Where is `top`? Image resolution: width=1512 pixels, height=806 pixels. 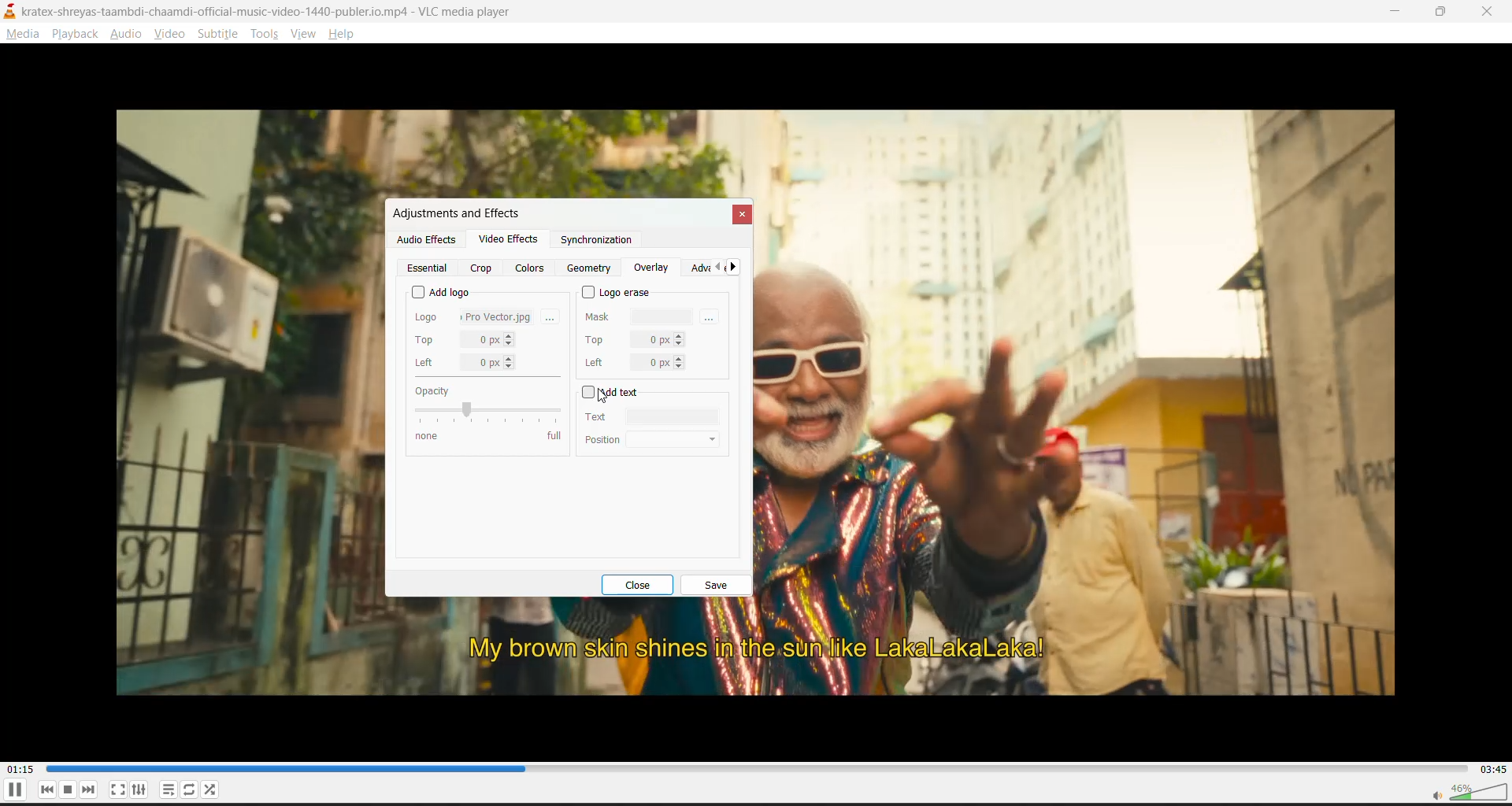
top is located at coordinates (634, 338).